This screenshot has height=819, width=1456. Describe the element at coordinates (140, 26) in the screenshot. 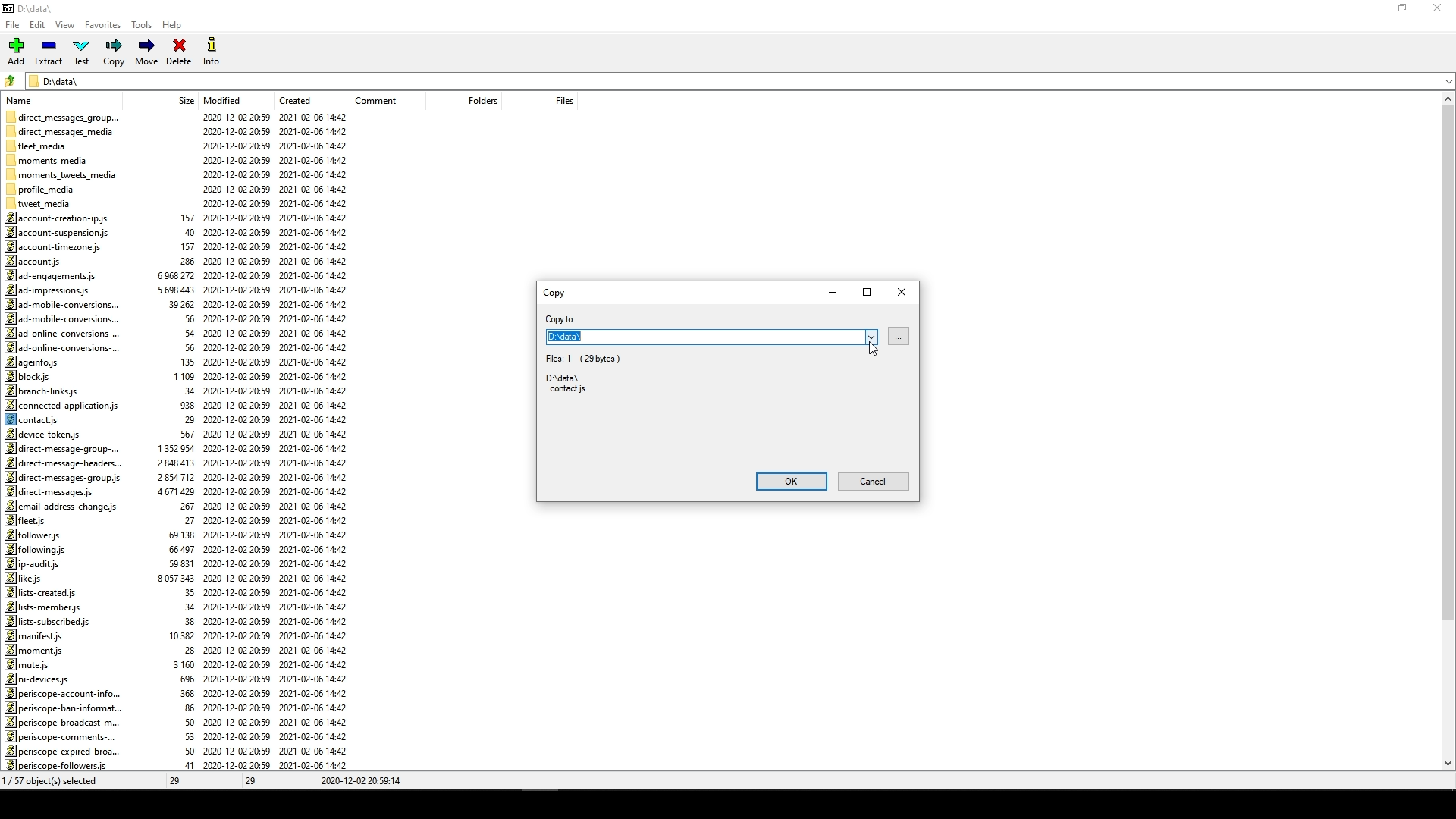

I see `Tools` at that location.